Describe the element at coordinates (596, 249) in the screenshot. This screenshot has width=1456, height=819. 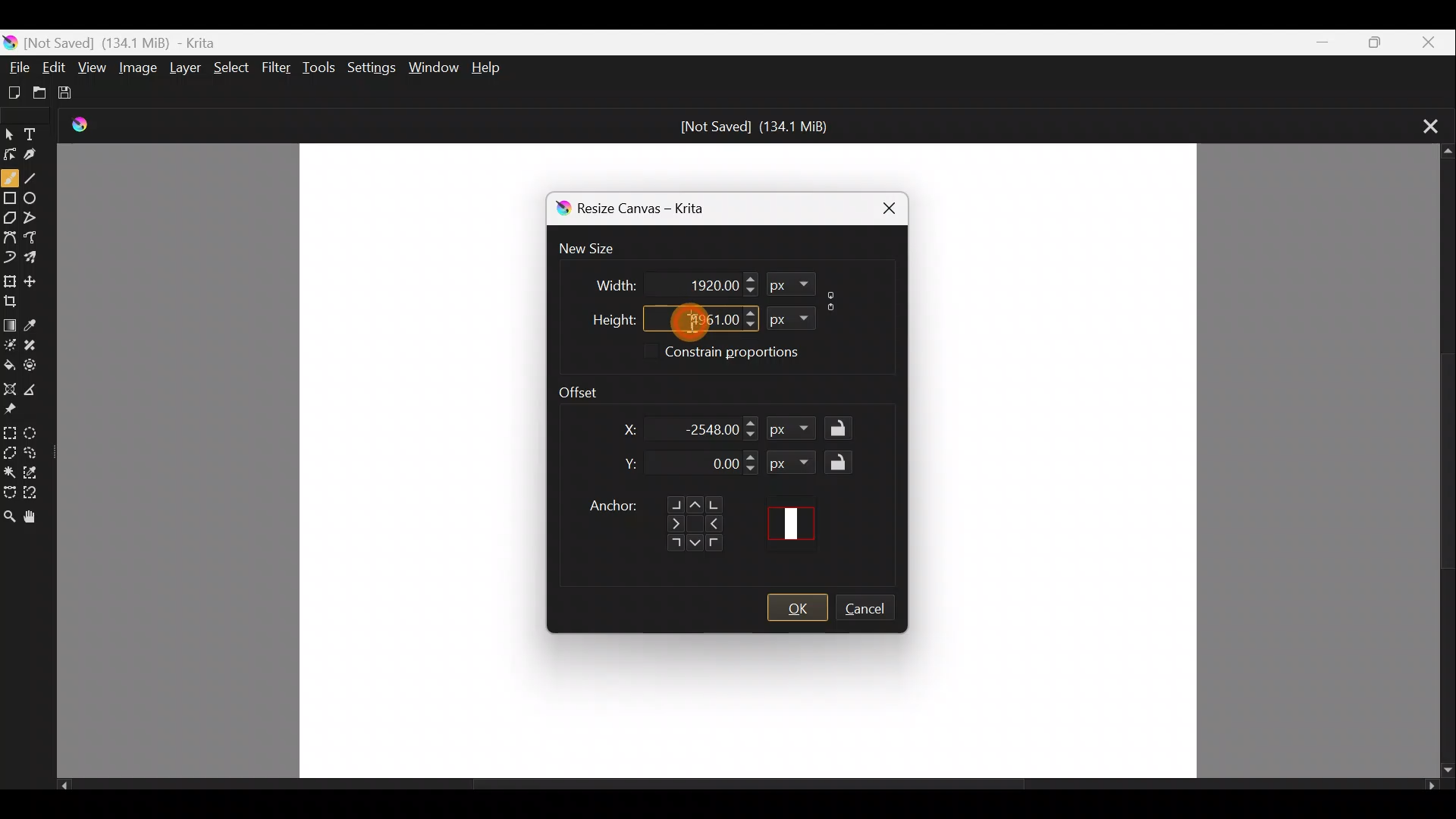
I see `New size` at that location.